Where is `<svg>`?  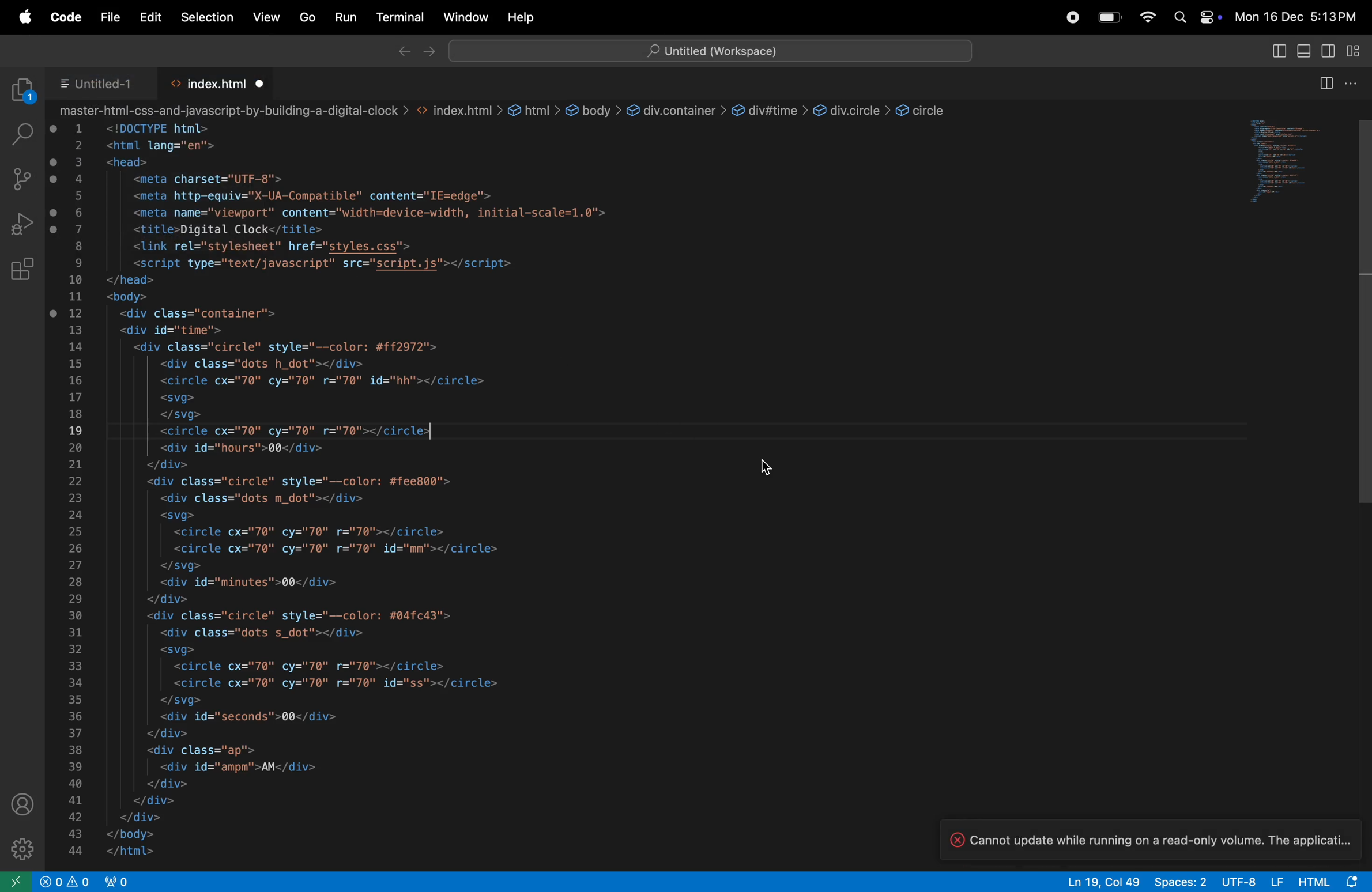 <svg> is located at coordinates (183, 649).